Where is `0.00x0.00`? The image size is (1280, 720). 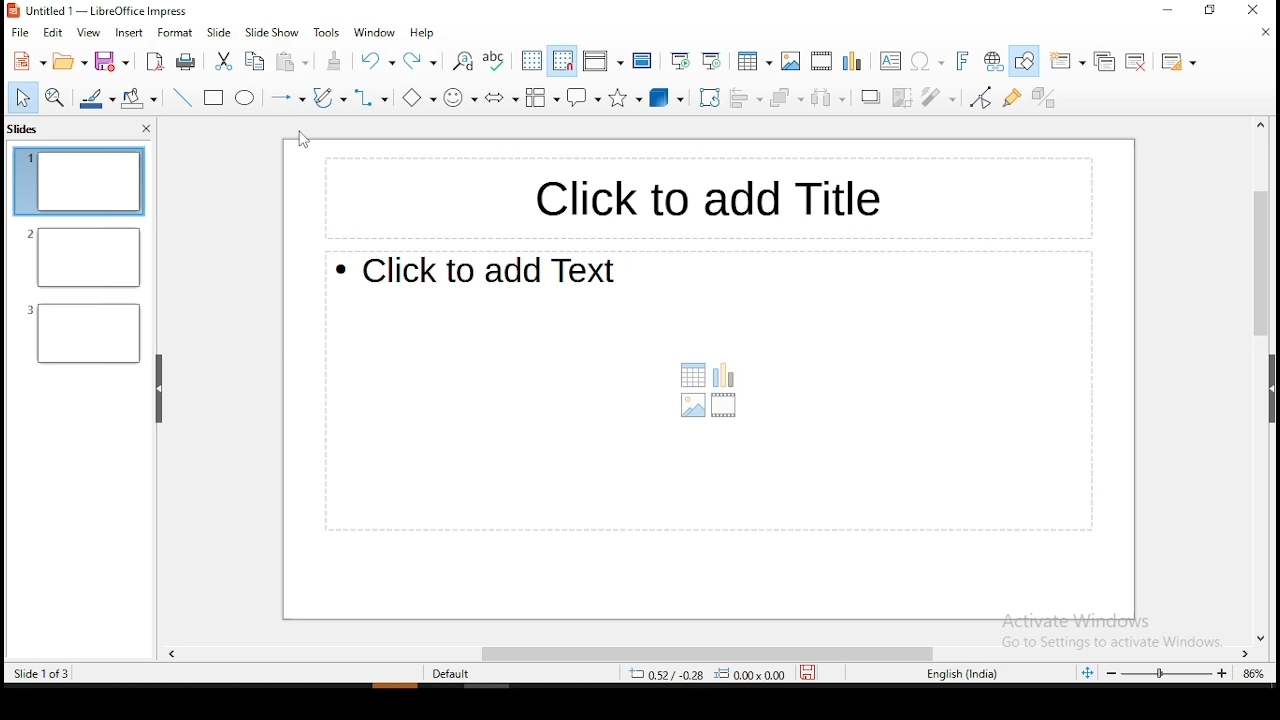 0.00x0.00 is located at coordinates (751, 675).